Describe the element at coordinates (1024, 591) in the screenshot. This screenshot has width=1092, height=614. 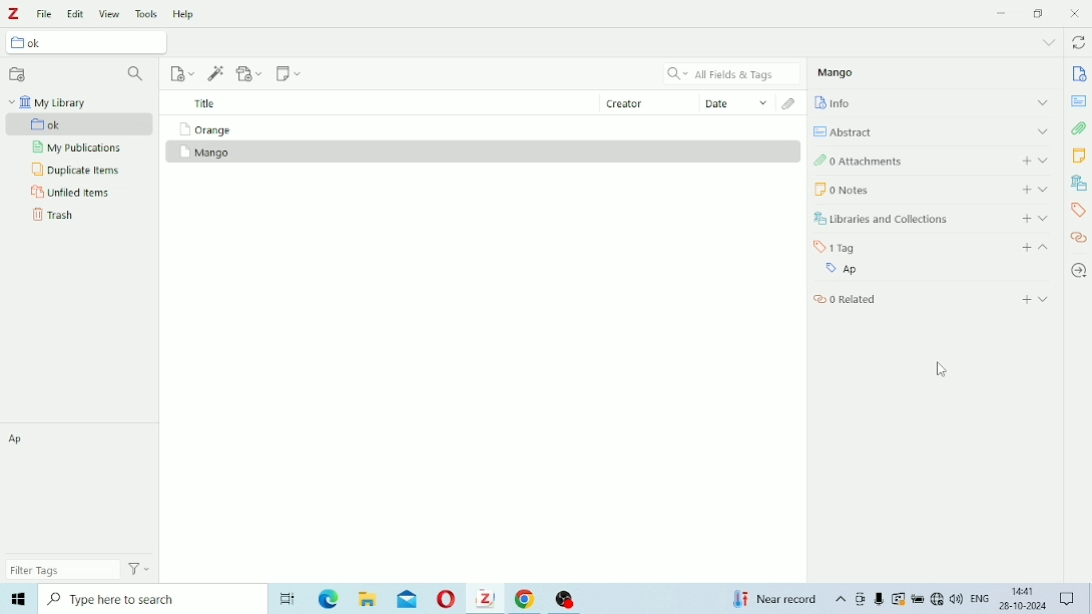
I see `14:41` at that location.